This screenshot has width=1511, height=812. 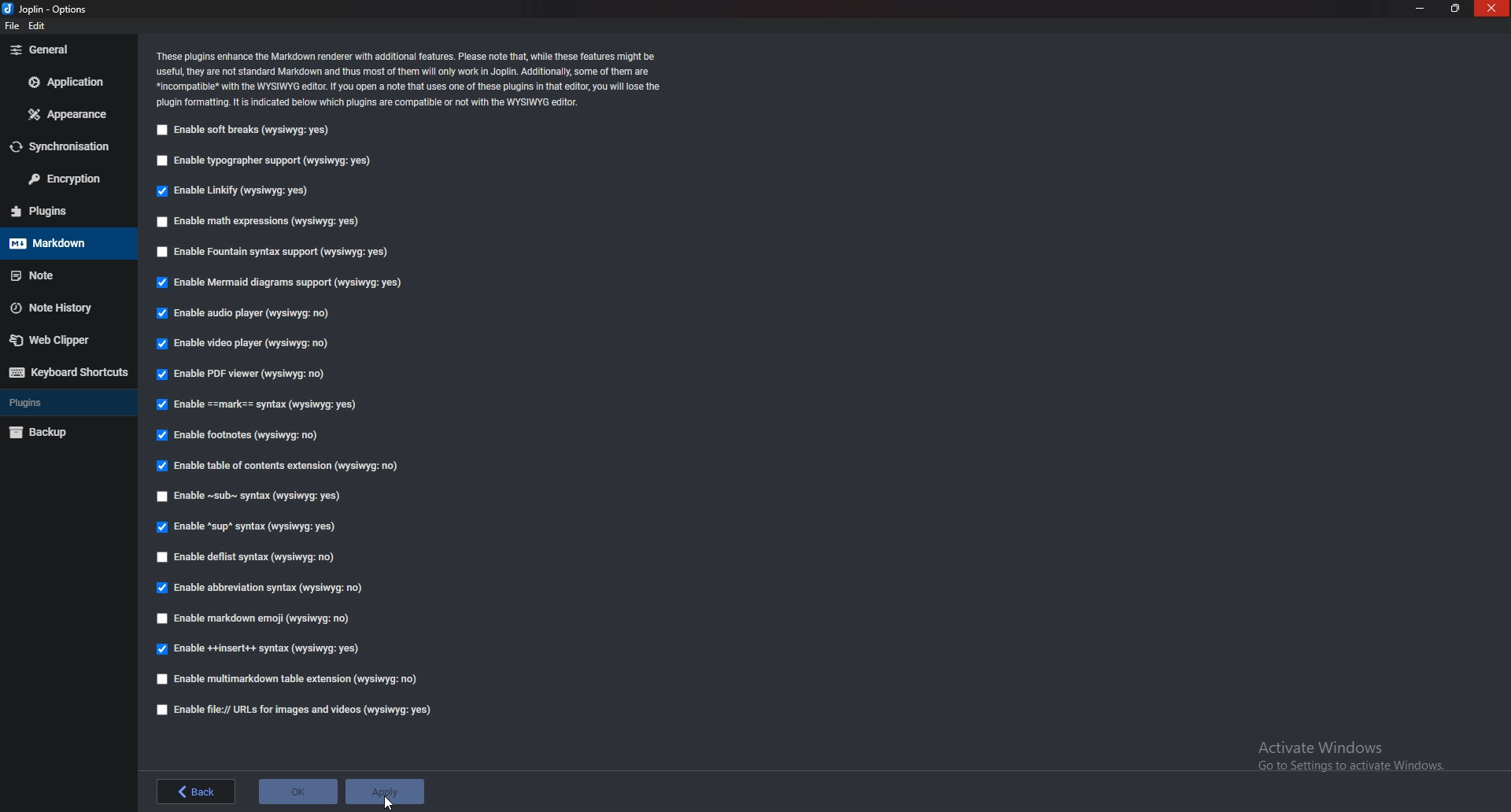 What do you see at coordinates (240, 373) in the screenshot?
I see `Enable P D F viewer` at bounding box center [240, 373].